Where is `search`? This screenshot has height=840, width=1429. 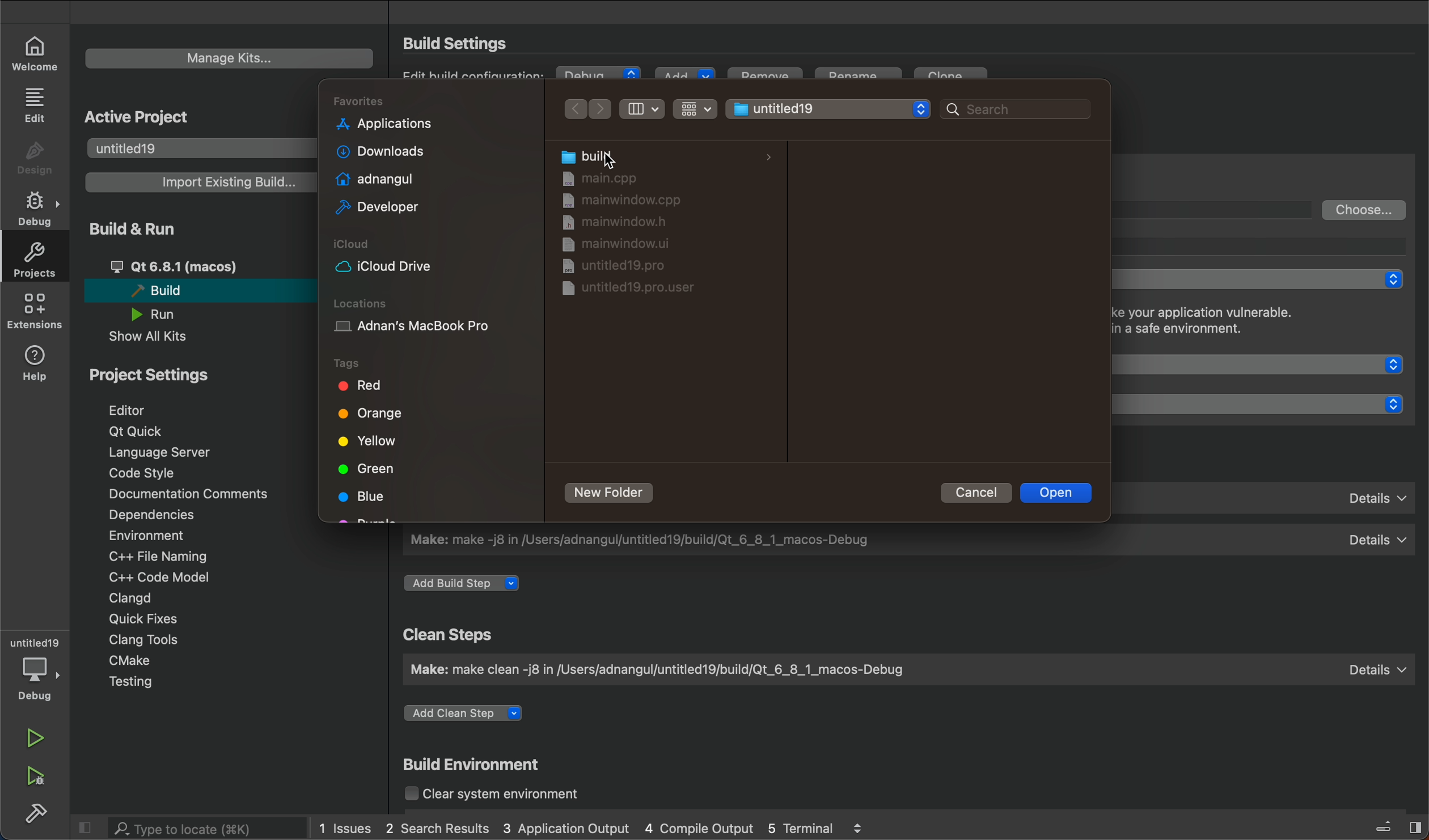 search is located at coordinates (195, 828).